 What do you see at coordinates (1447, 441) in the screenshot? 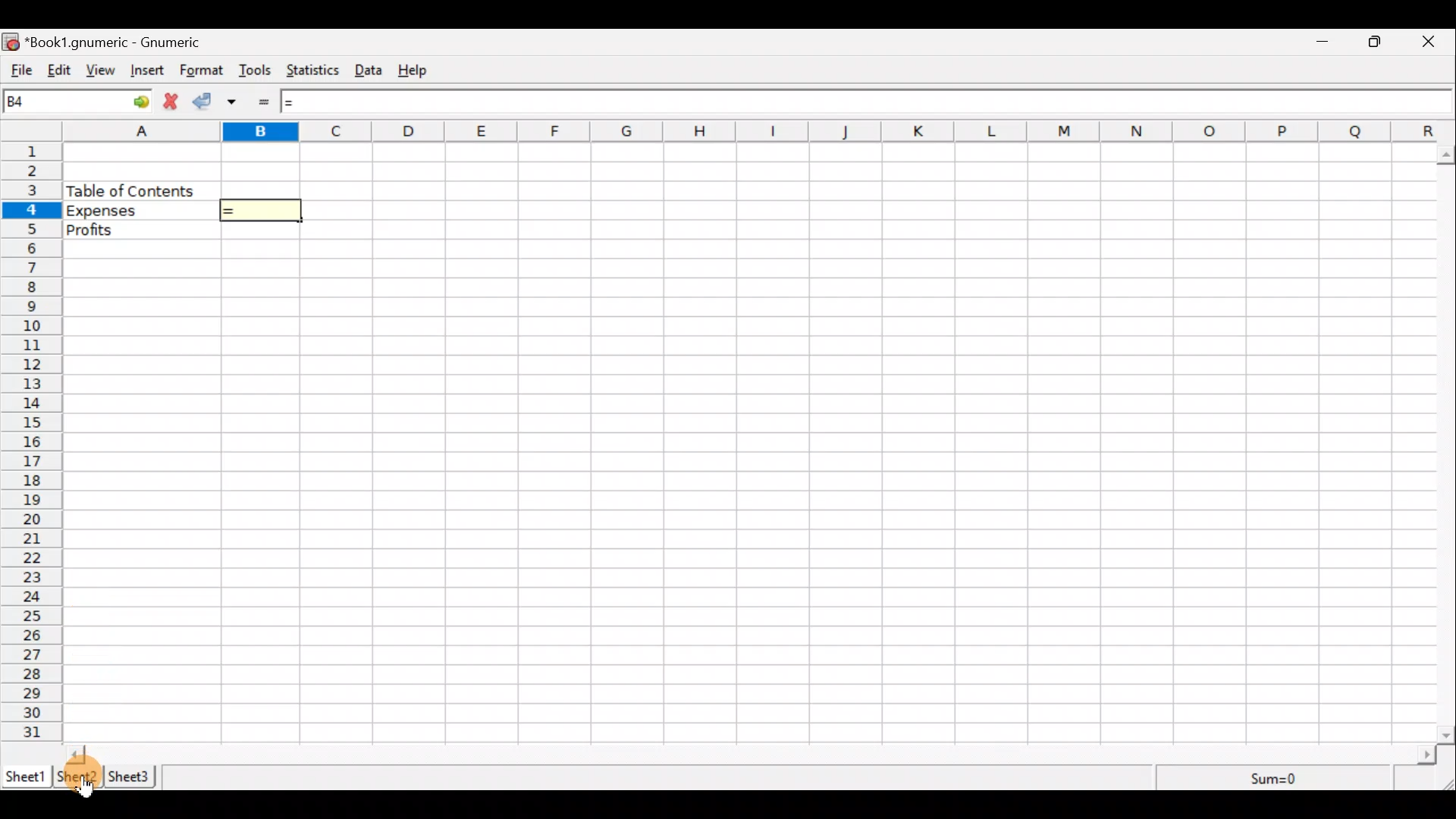
I see `Scroll bar` at bounding box center [1447, 441].